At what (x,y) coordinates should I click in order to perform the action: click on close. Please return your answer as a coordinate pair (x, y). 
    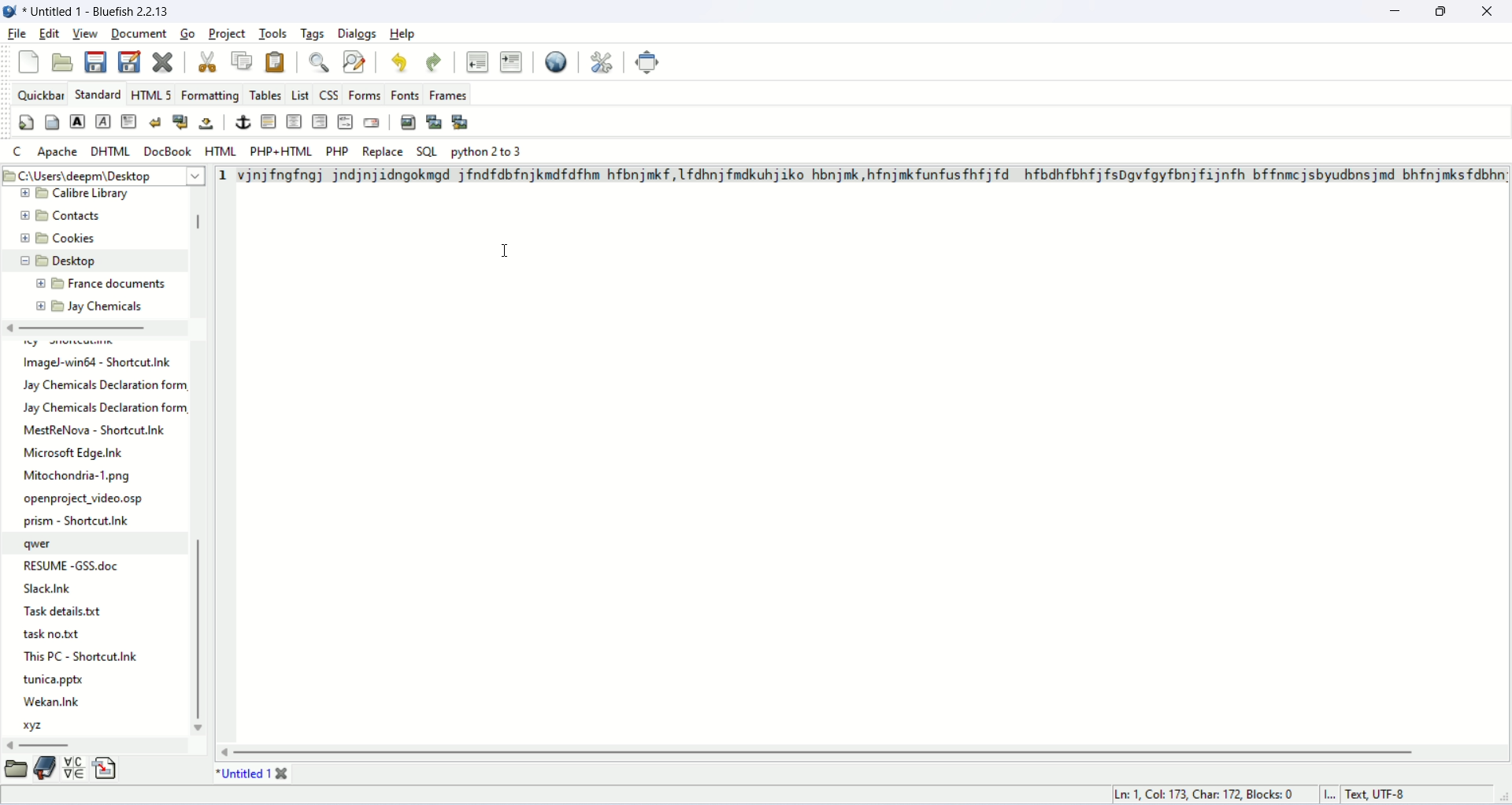
    Looking at the image, I should click on (287, 769).